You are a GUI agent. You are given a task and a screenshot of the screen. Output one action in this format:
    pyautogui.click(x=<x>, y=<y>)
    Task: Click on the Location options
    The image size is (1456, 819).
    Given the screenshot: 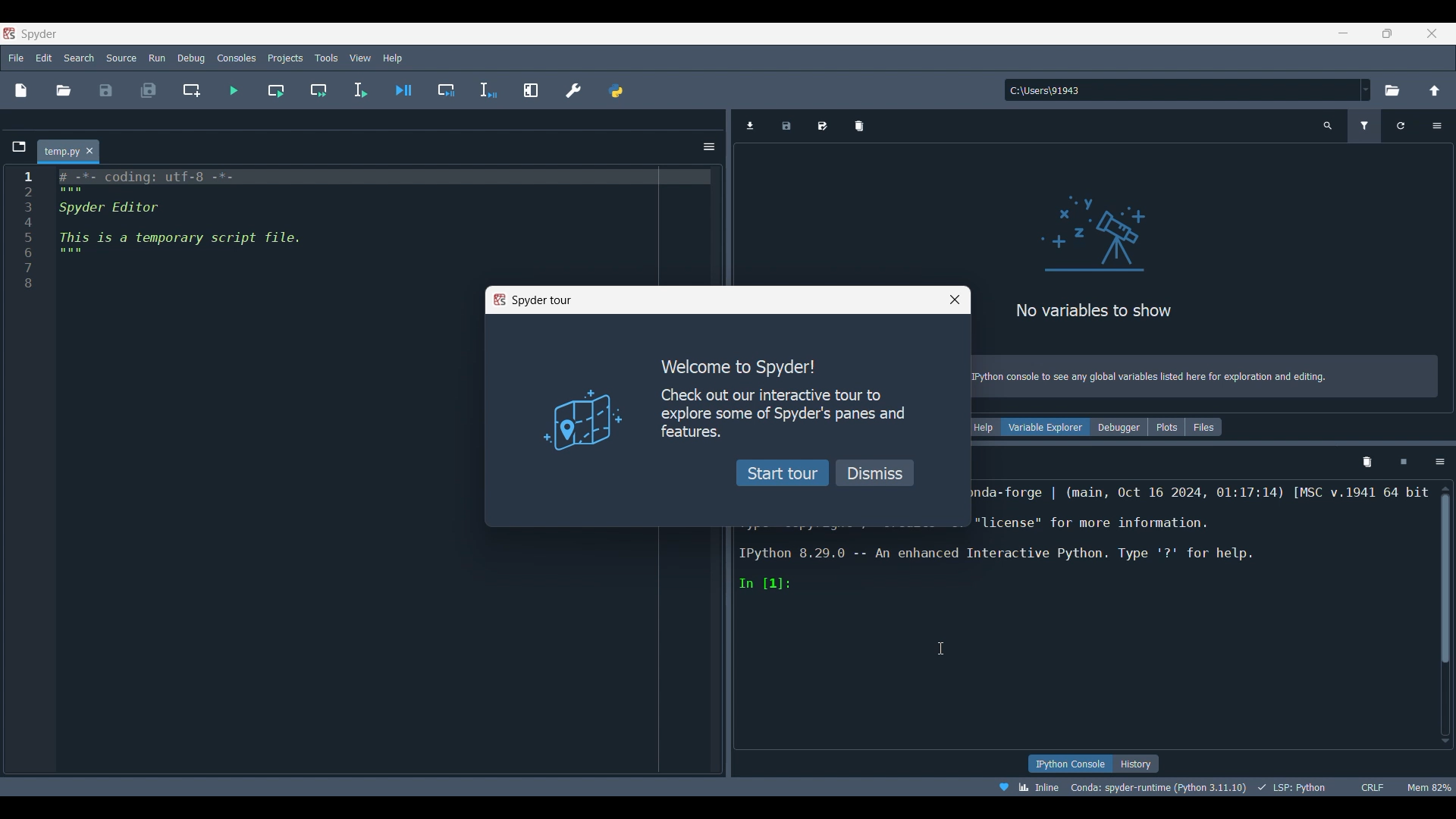 What is the action you would take?
    pyautogui.click(x=1367, y=90)
    